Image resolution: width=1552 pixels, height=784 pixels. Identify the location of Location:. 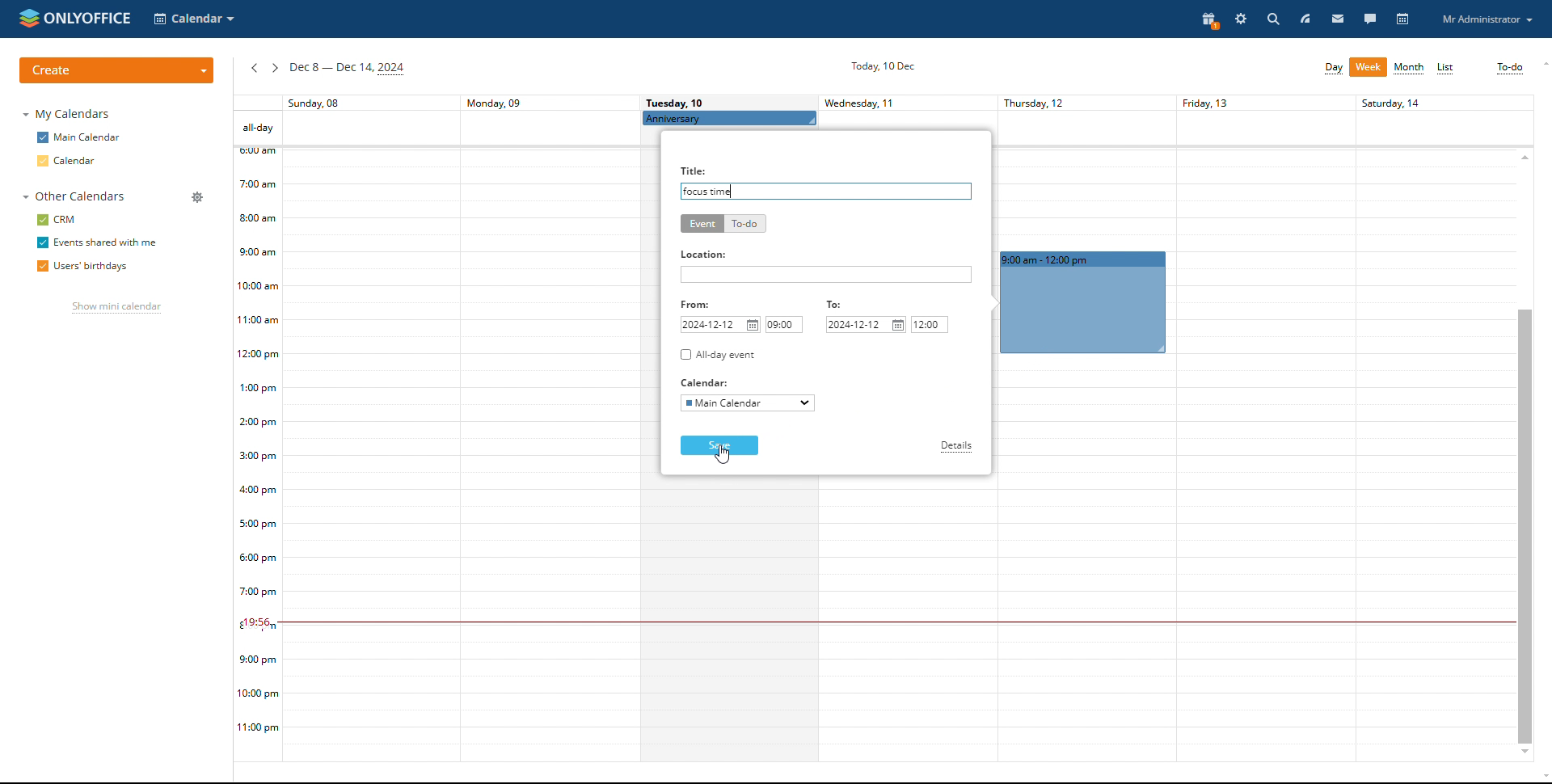
(705, 255).